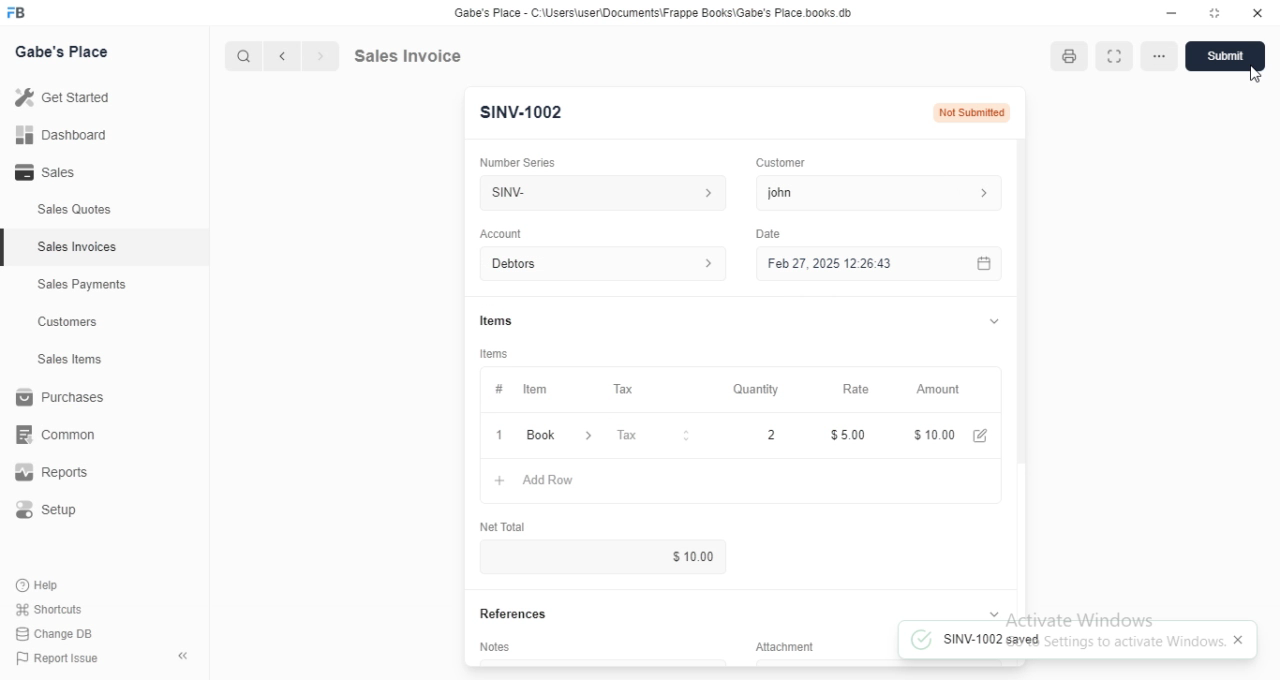  What do you see at coordinates (65, 97) in the screenshot?
I see `Get started` at bounding box center [65, 97].